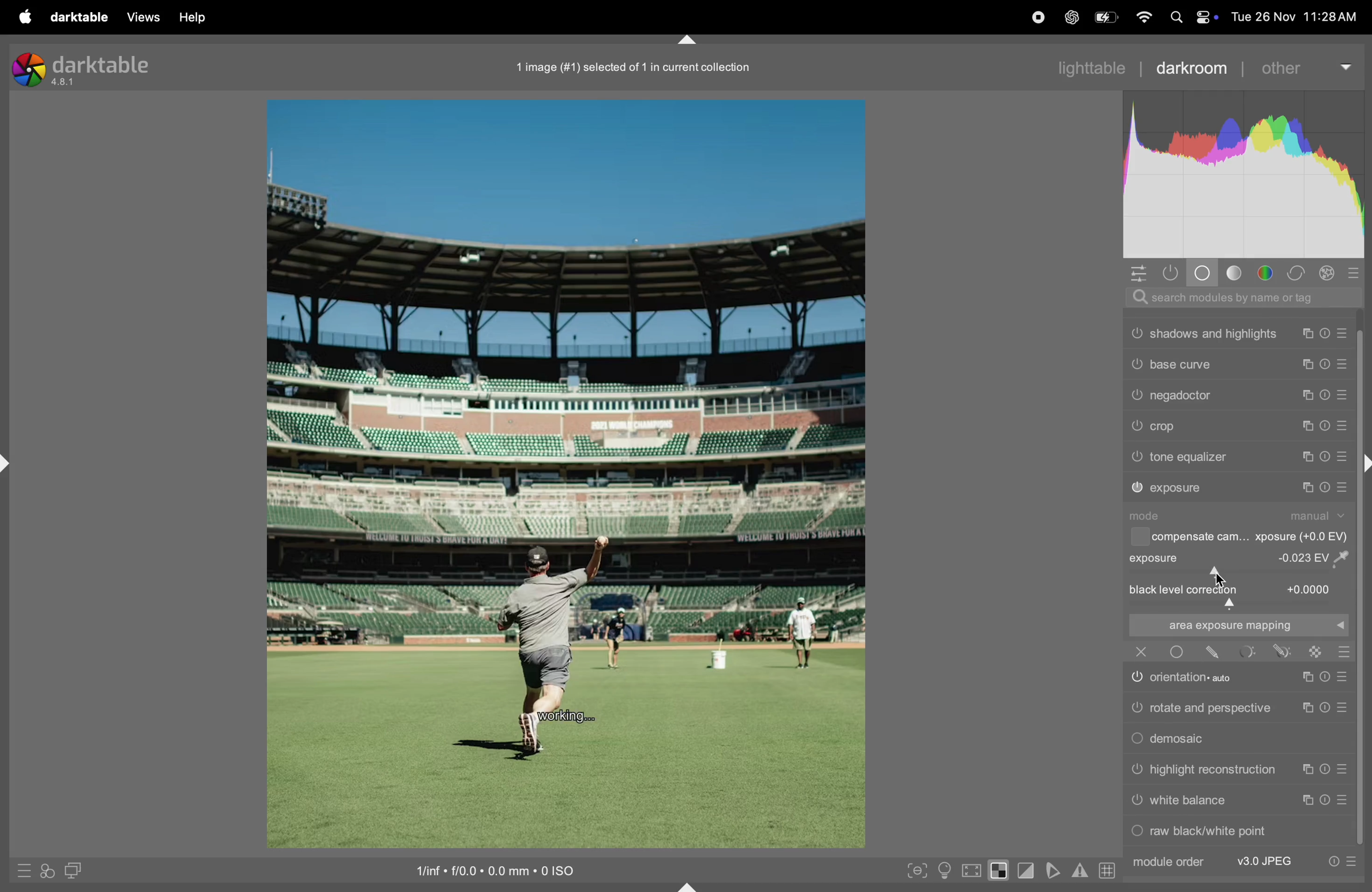  Describe the element at coordinates (1305, 678) in the screenshot. I see `copy` at that location.